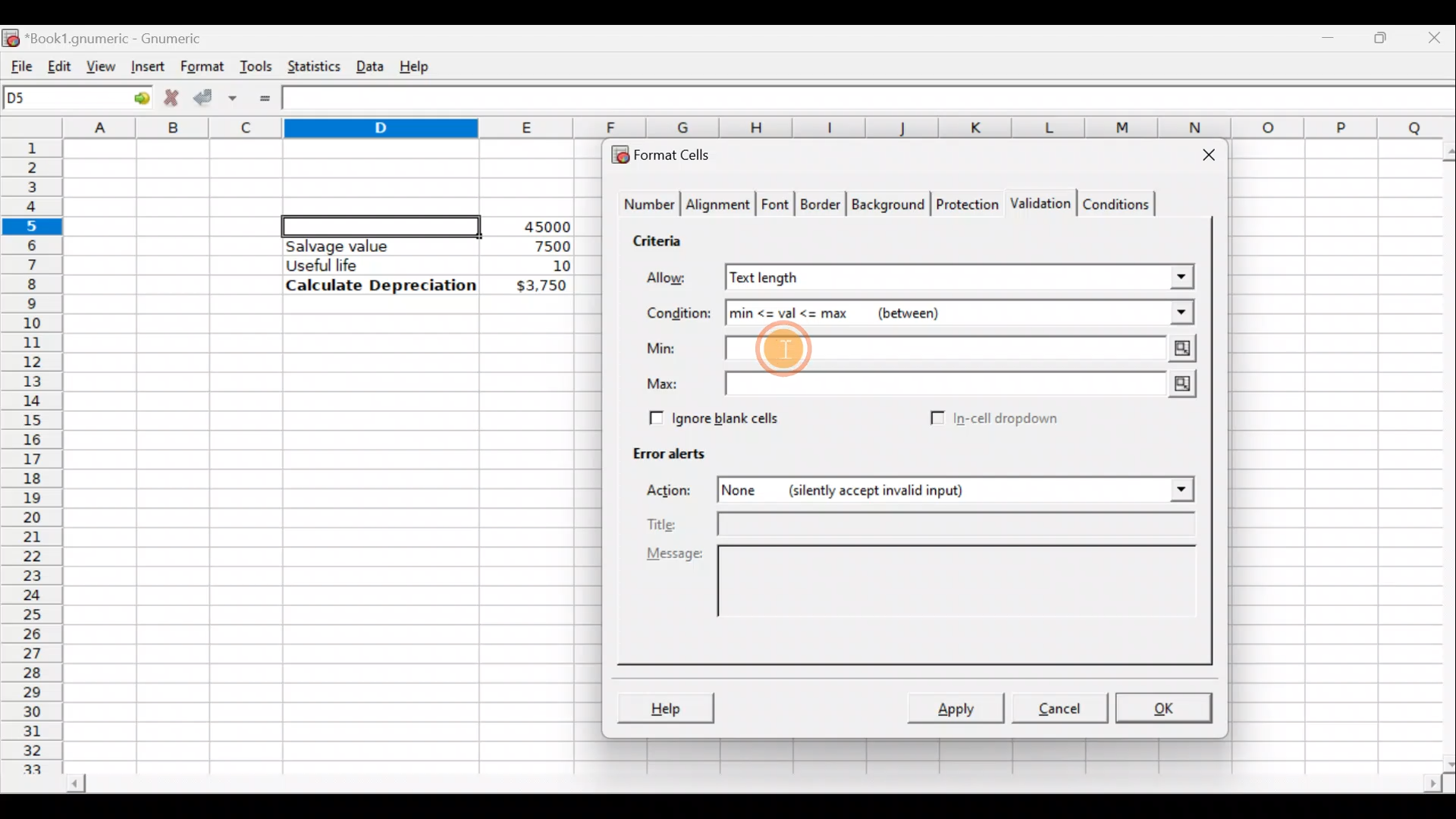  I want to click on Calculate Depreciation, so click(381, 284).